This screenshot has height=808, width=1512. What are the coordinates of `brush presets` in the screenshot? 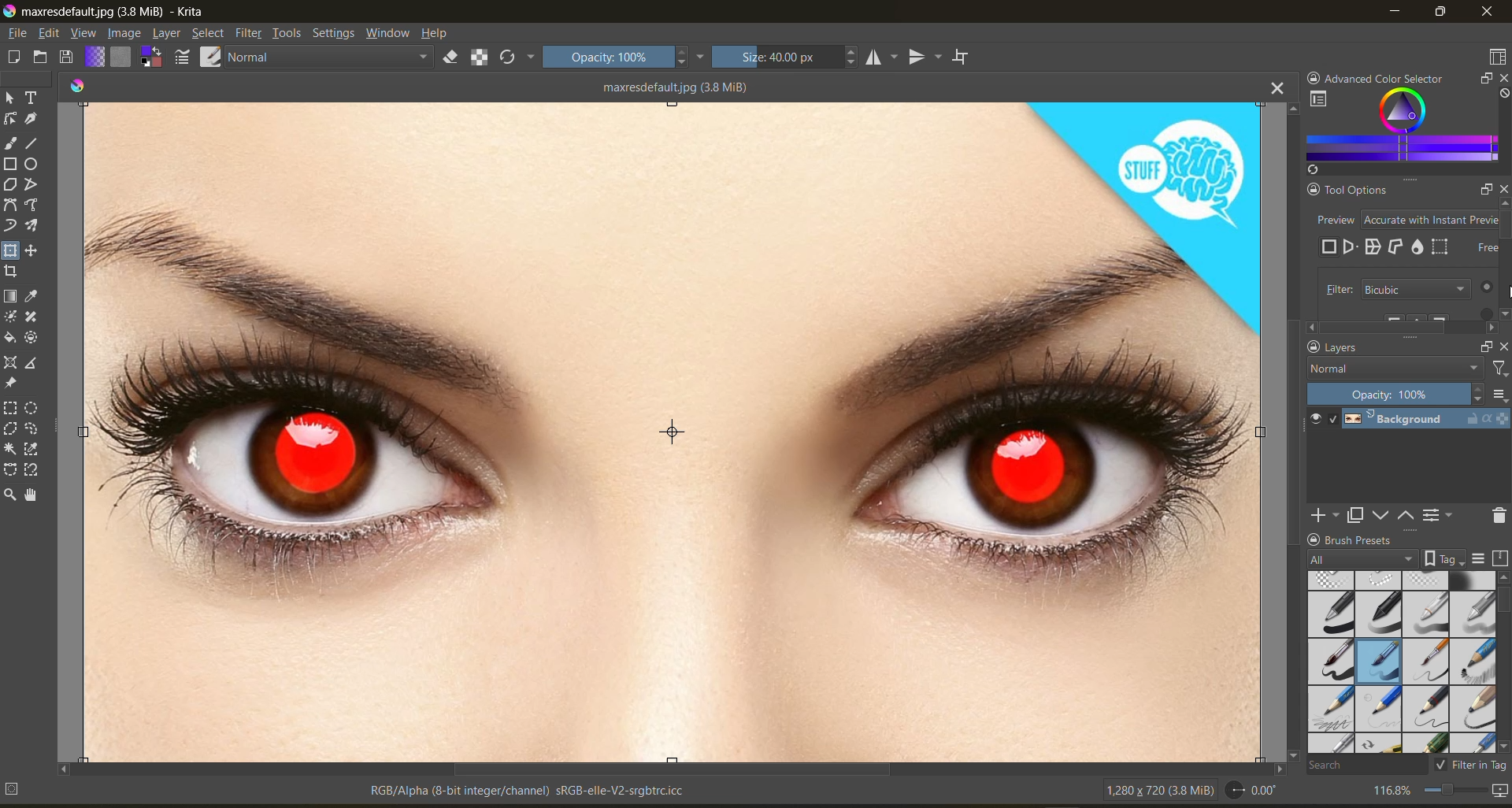 It's located at (1401, 660).